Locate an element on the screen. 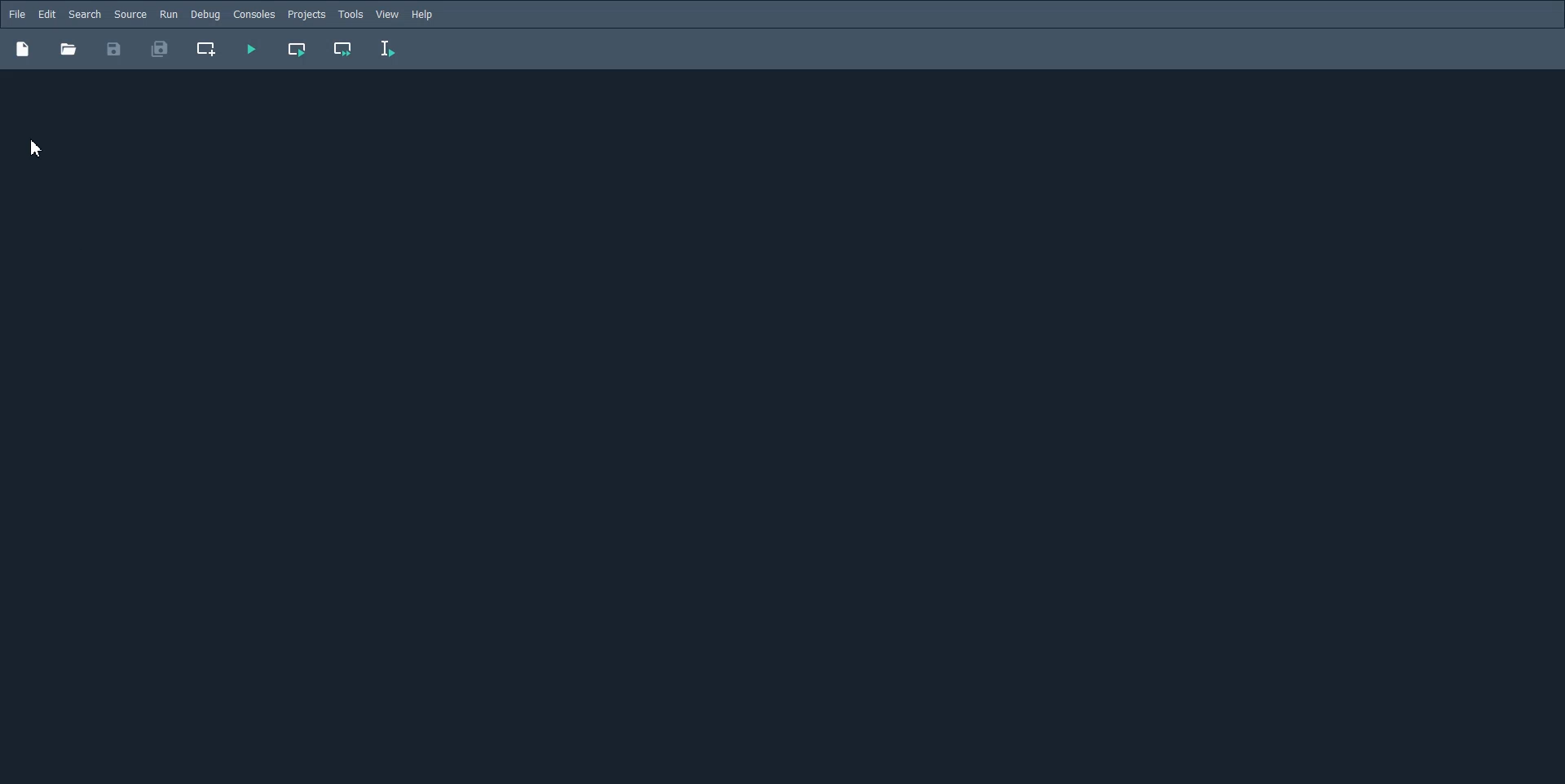 The height and width of the screenshot is (784, 1565).  is located at coordinates (68, 49).